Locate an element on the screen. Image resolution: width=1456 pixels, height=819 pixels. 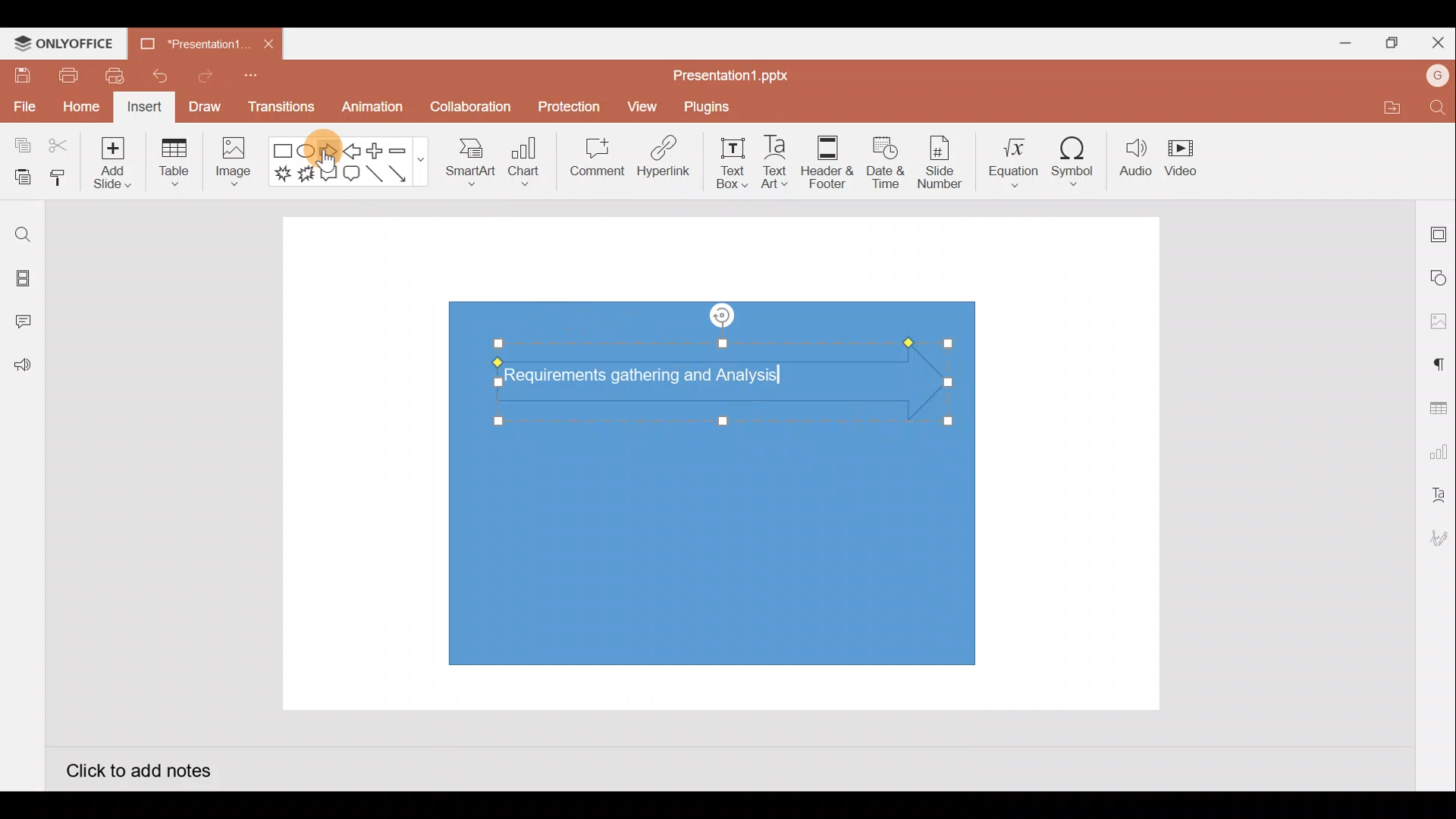
Open file location is located at coordinates (1389, 107).